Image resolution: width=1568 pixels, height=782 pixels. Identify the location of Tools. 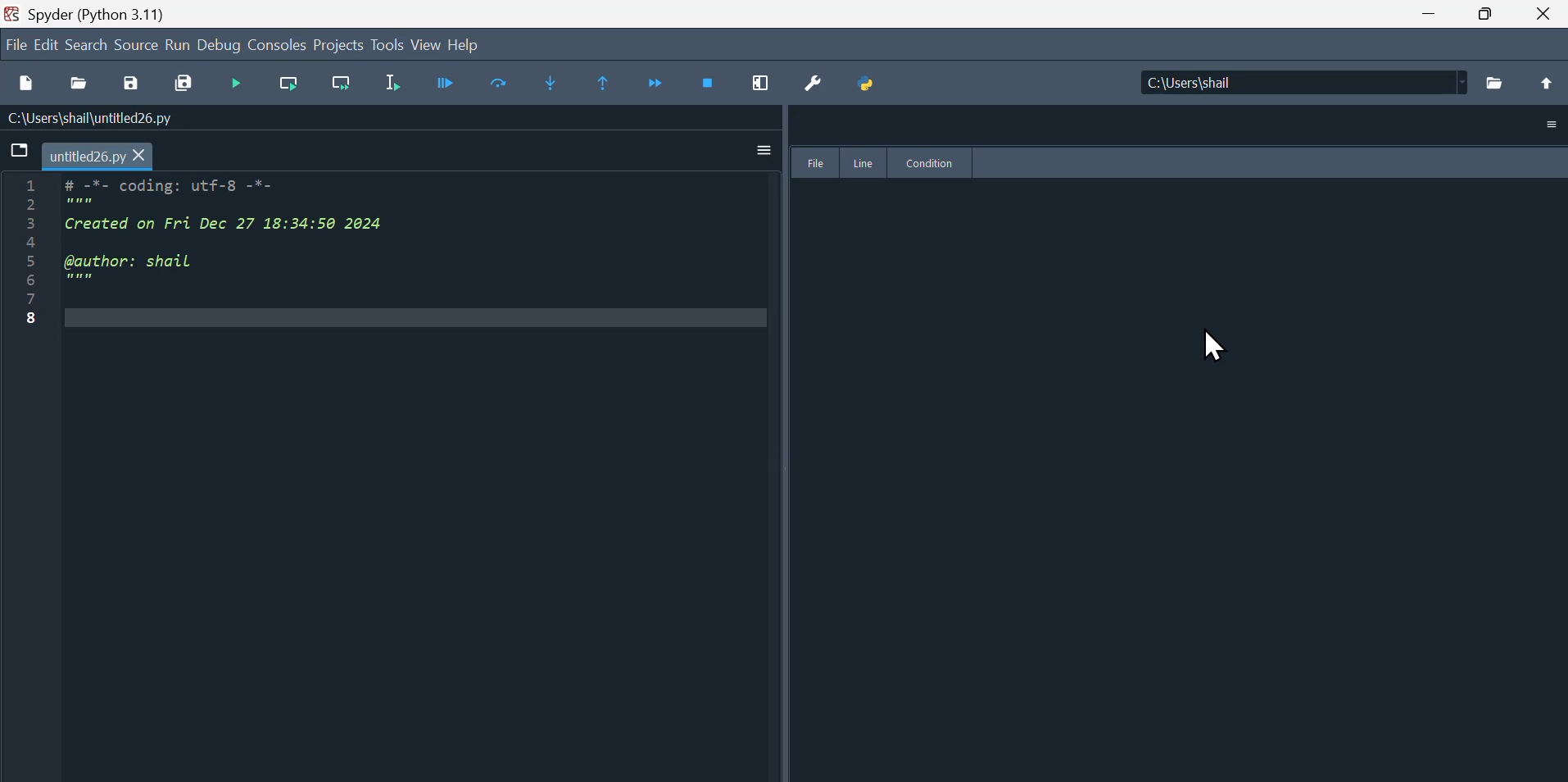
(386, 46).